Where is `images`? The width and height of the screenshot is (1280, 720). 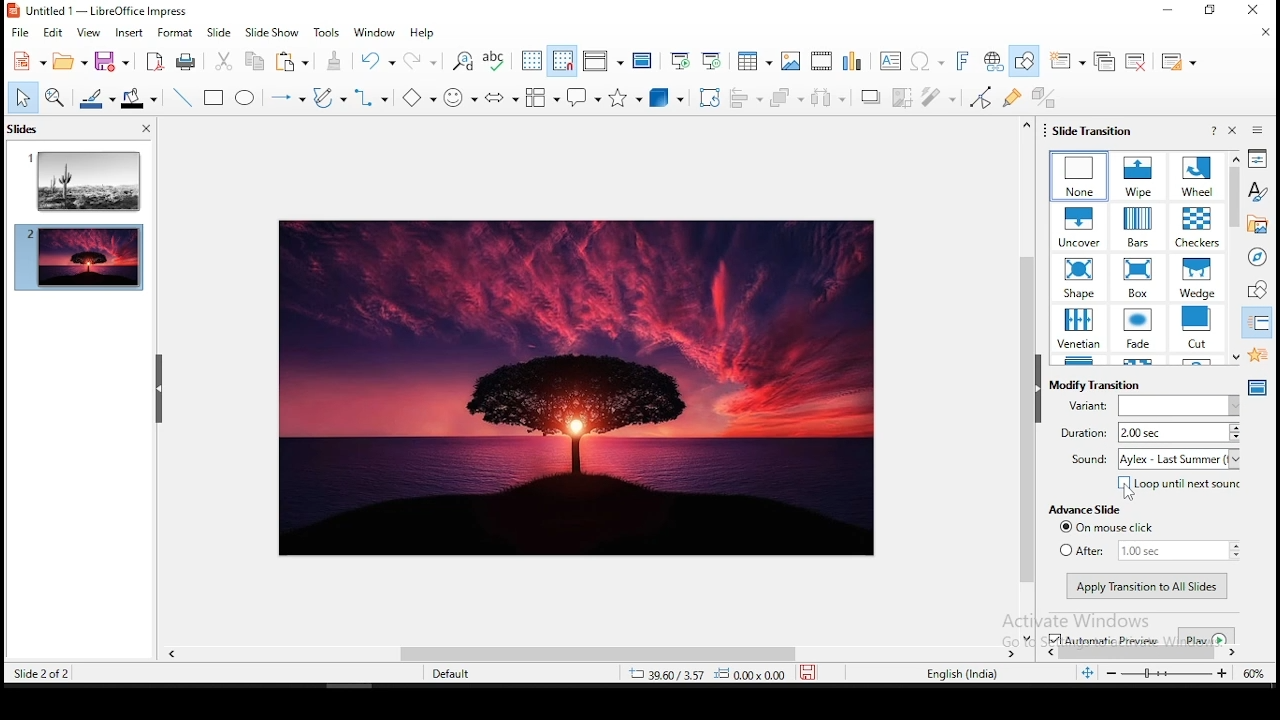
images is located at coordinates (791, 60).